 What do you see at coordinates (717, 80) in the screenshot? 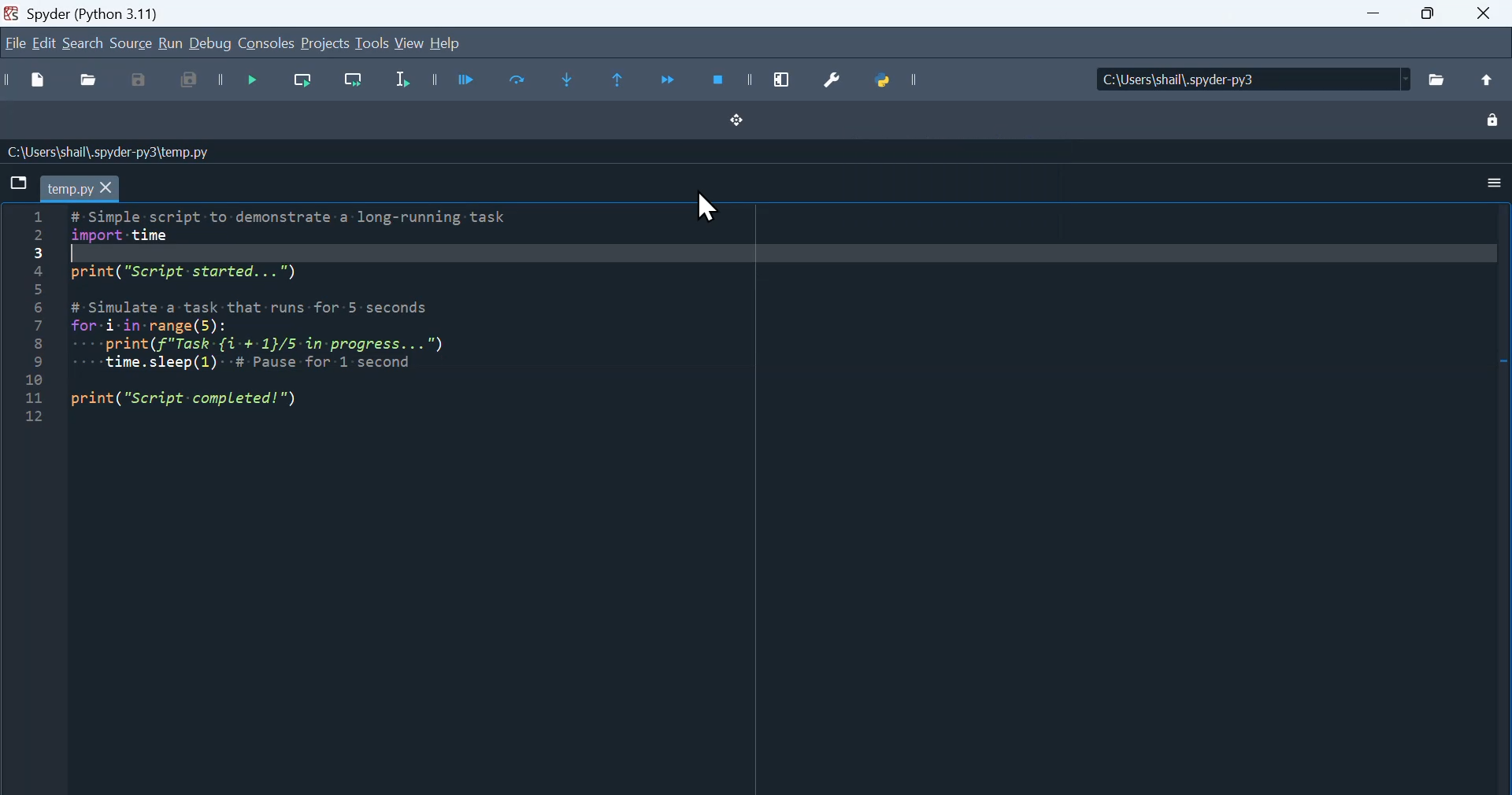
I see `Stop debugging` at bounding box center [717, 80].